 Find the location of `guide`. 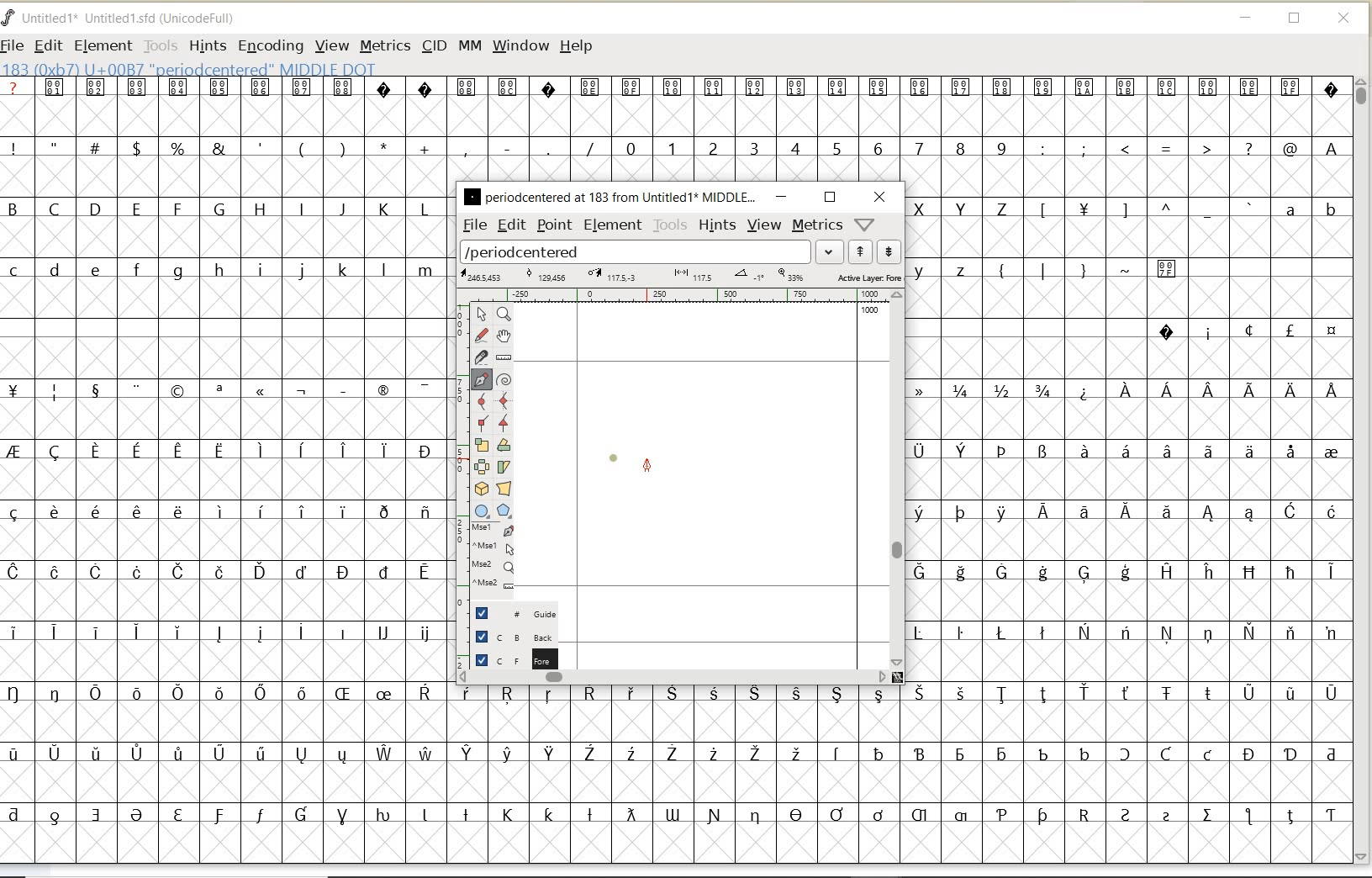

guide is located at coordinates (510, 614).